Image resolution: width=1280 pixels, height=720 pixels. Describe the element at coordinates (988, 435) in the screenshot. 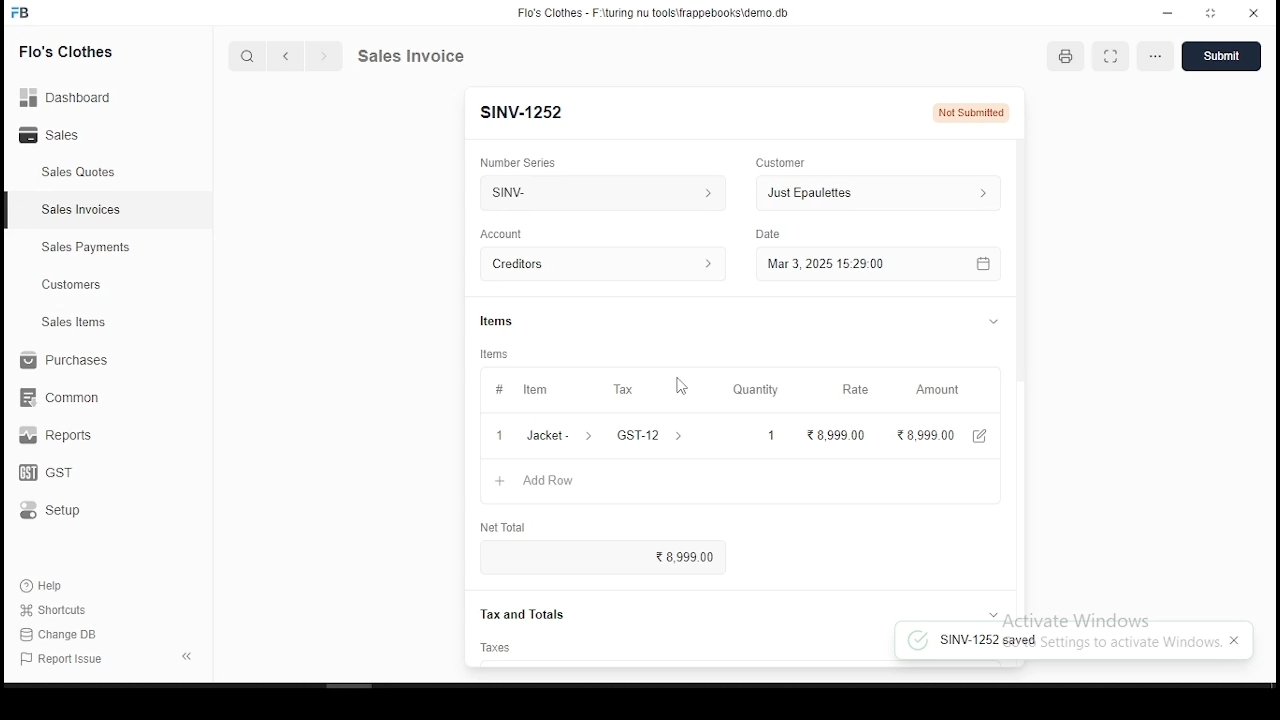

I see `edit` at that location.